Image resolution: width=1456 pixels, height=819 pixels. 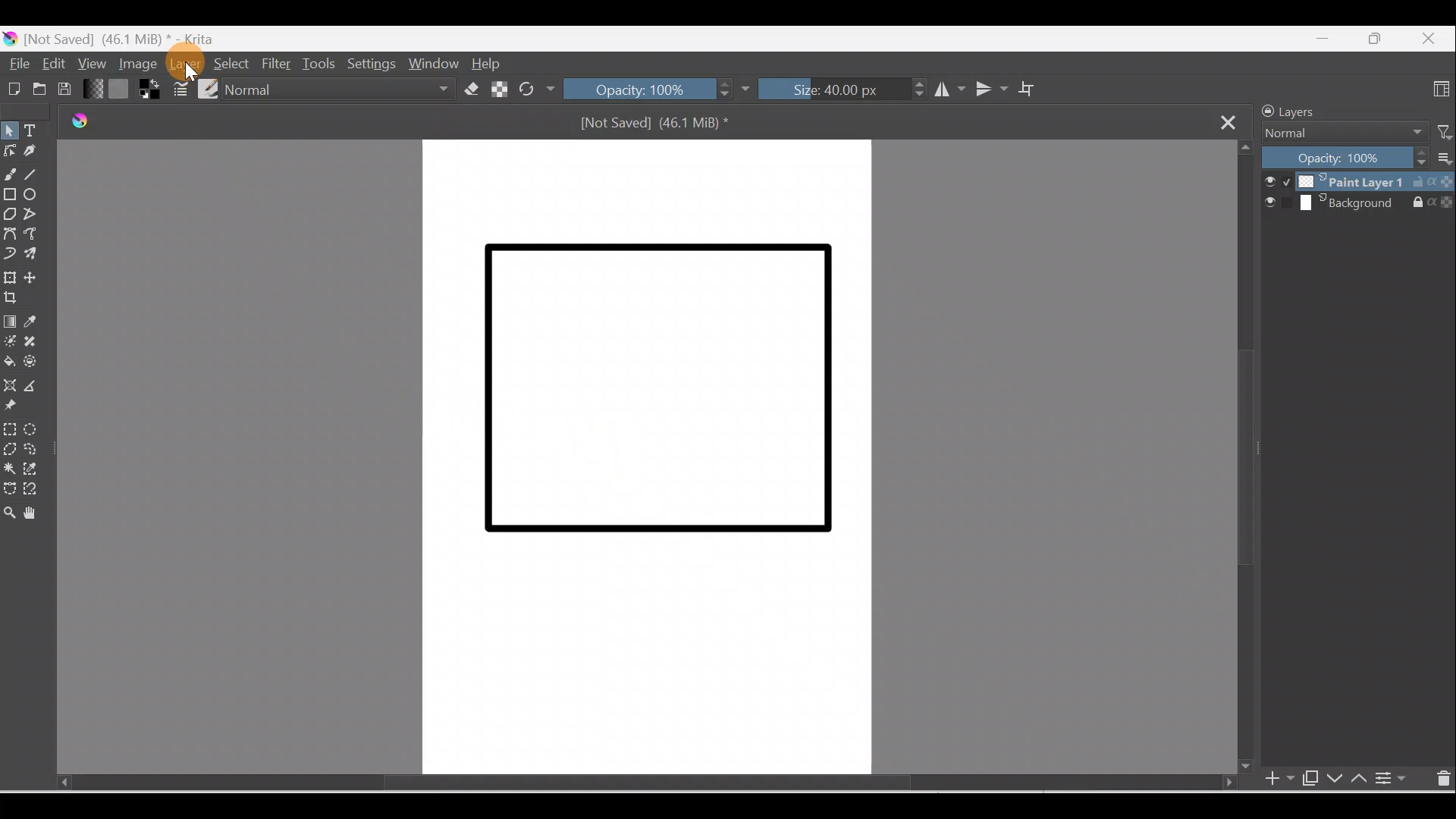 I want to click on Close, so click(x=1431, y=36).